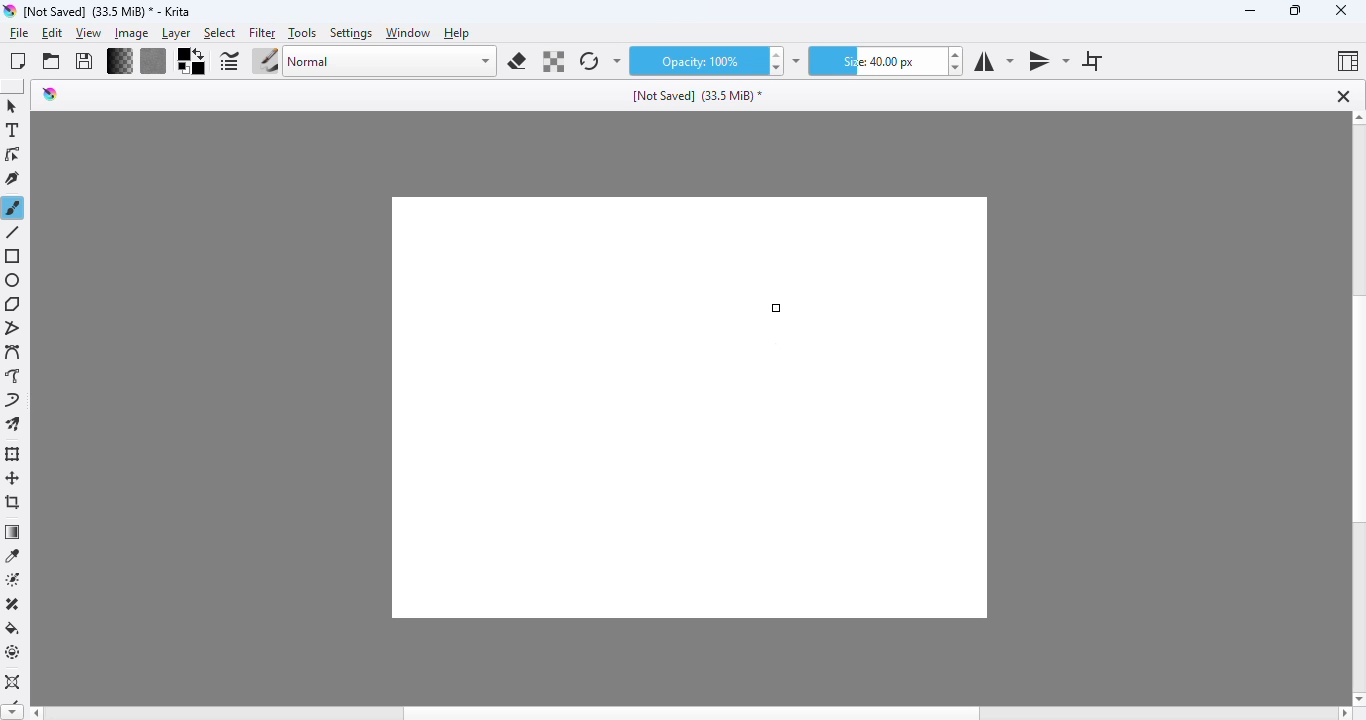 This screenshot has height=720, width=1366. Describe the element at coordinates (15, 304) in the screenshot. I see `polygon tool` at that location.